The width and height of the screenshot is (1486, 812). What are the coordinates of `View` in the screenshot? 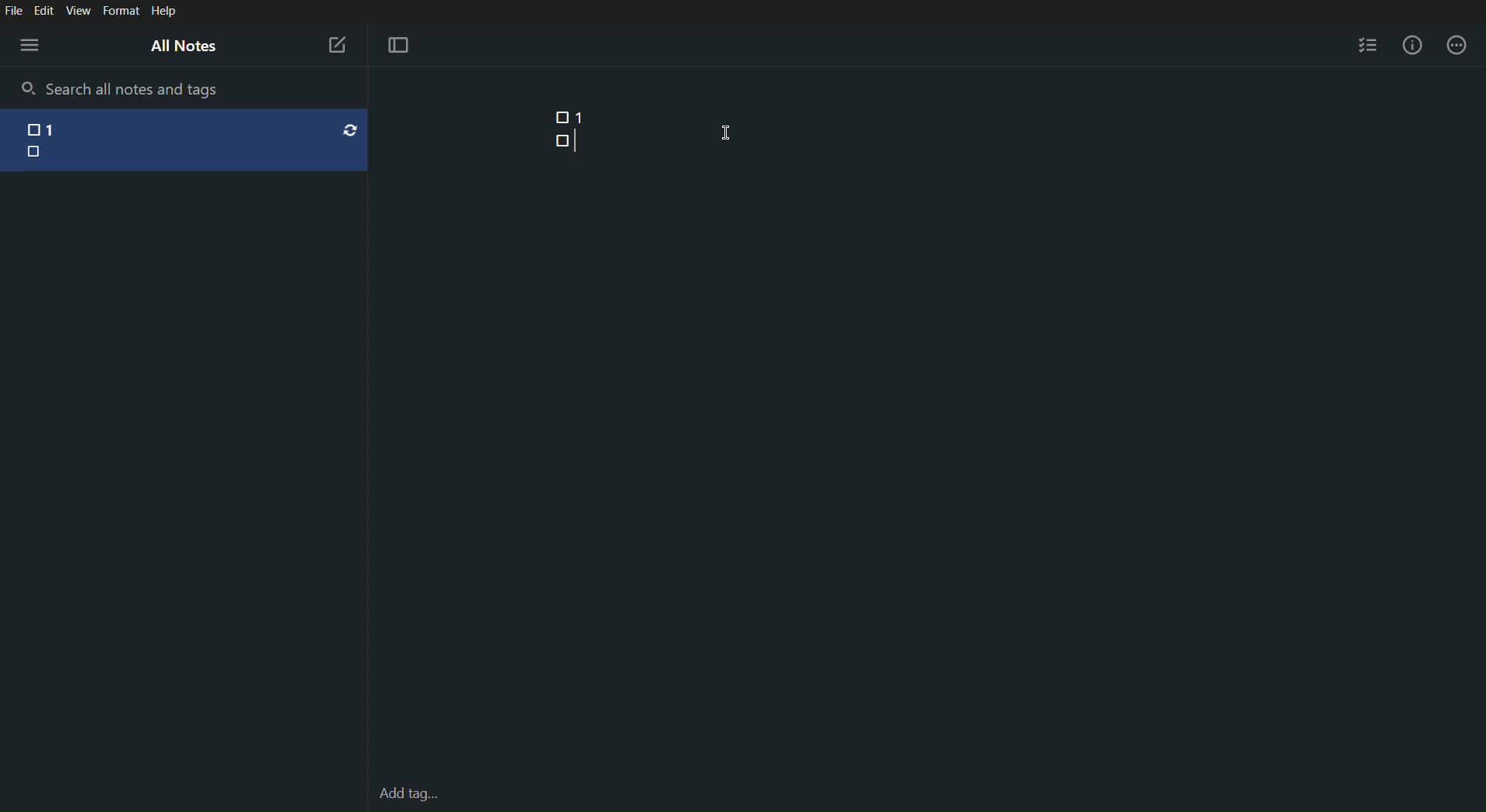 It's located at (80, 11).